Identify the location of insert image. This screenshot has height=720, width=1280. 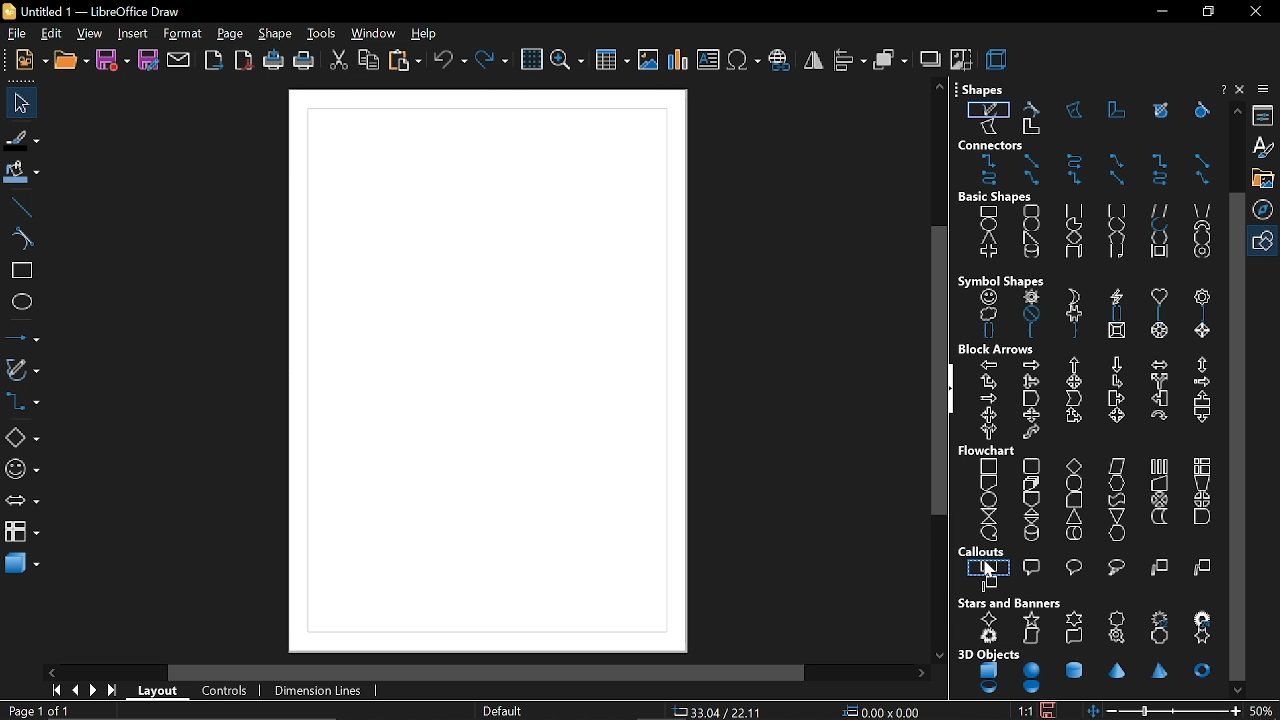
(647, 62).